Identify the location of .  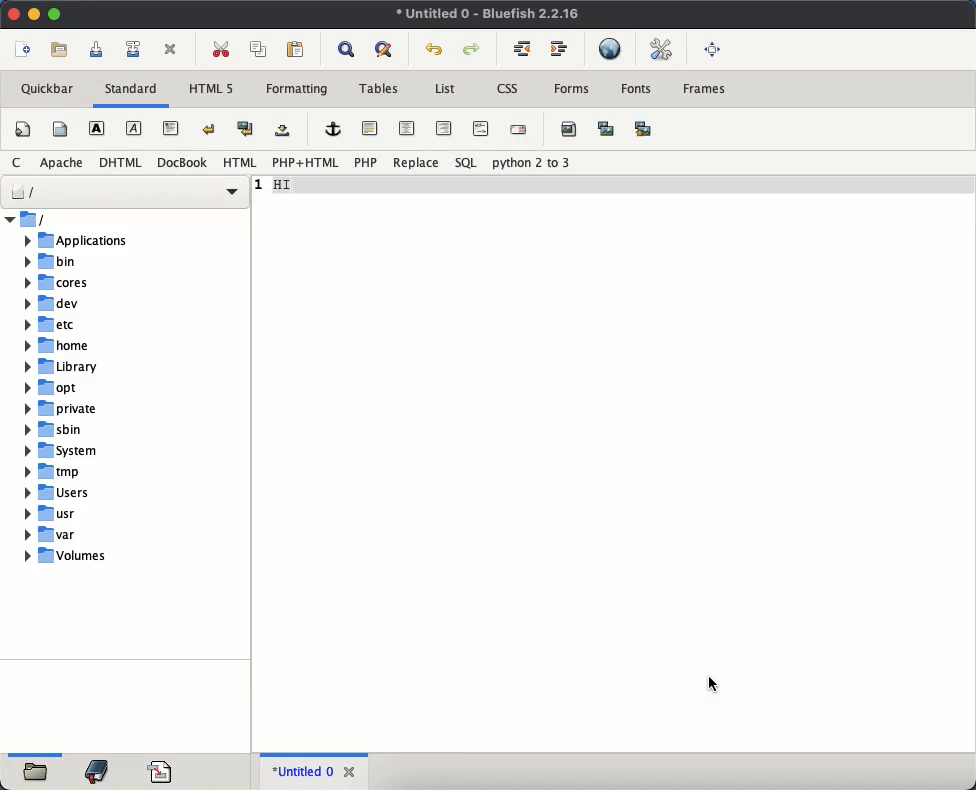
(522, 48).